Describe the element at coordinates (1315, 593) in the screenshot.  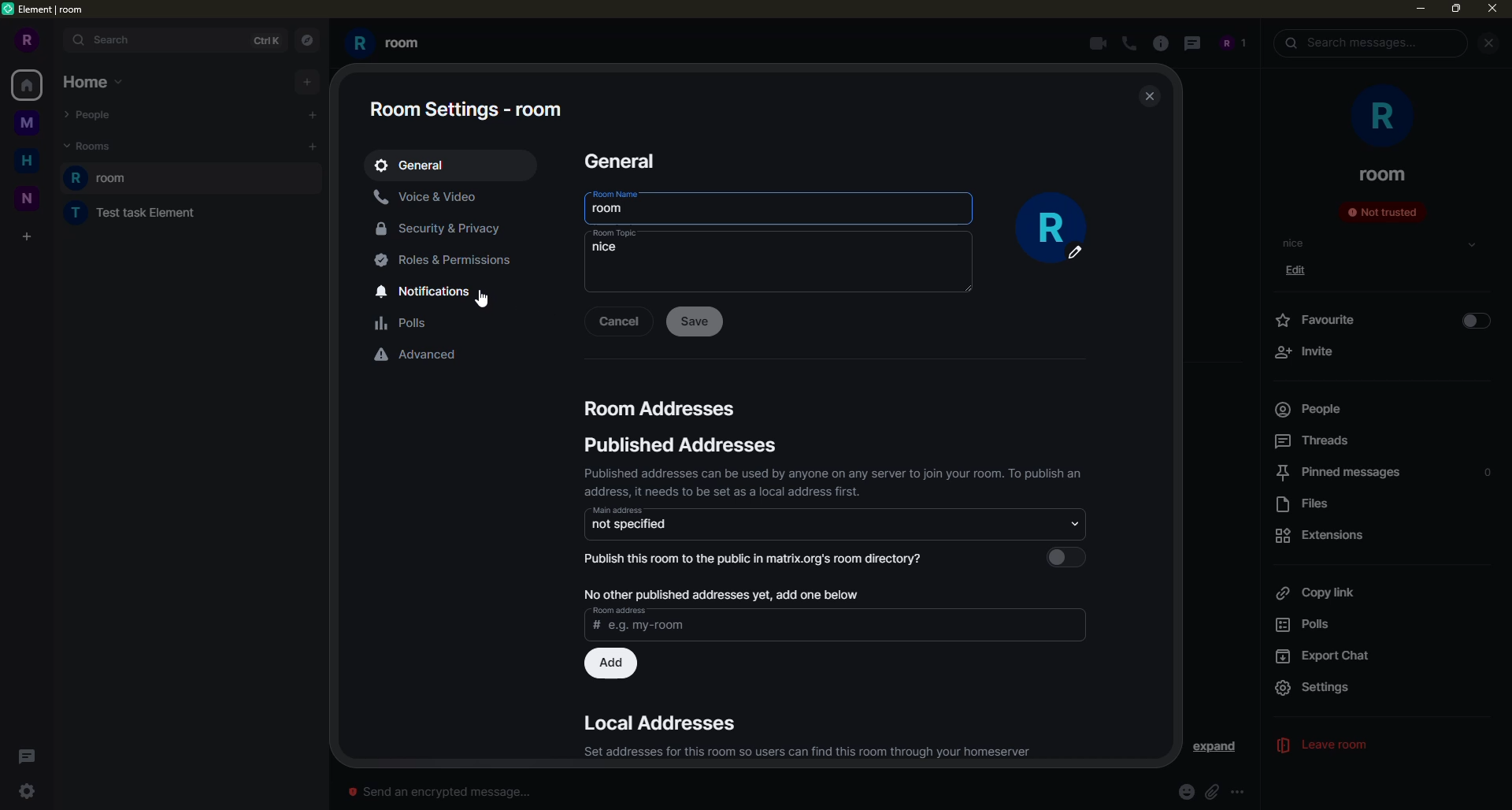
I see `copy link` at that location.